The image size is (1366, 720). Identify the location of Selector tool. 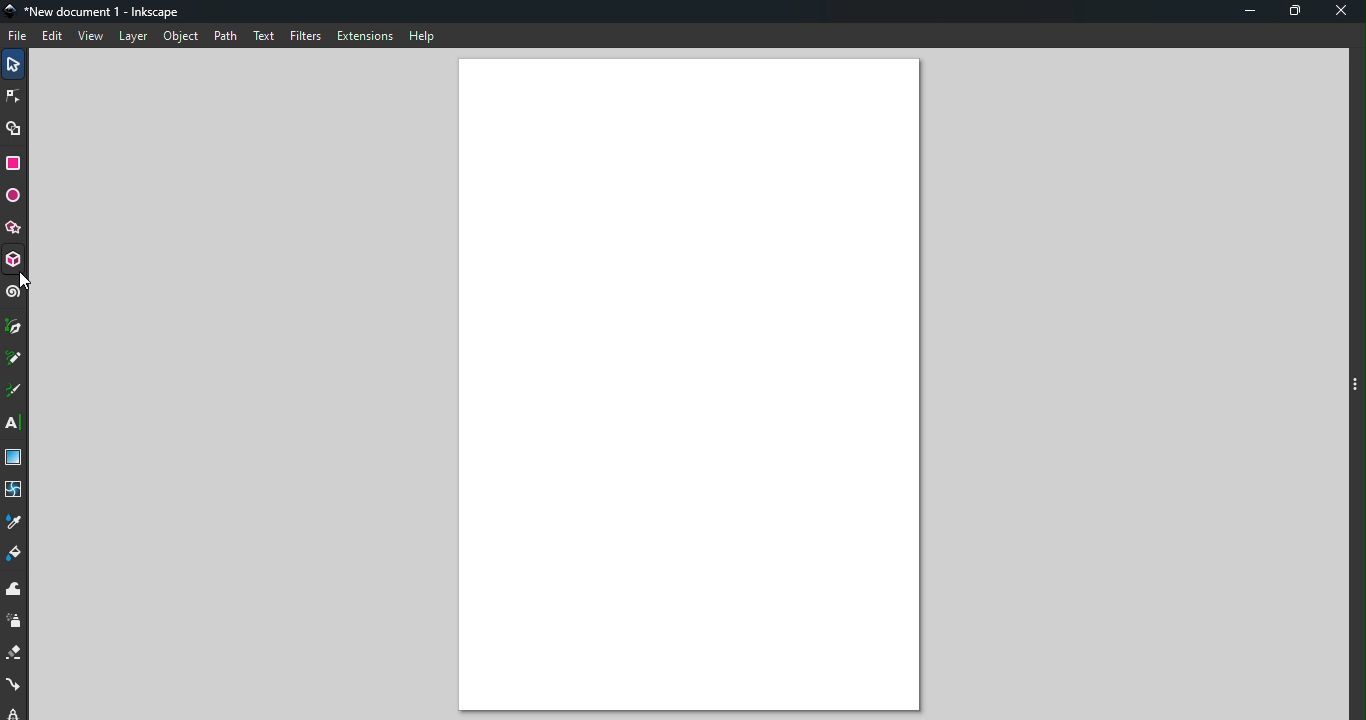
(16, 64).